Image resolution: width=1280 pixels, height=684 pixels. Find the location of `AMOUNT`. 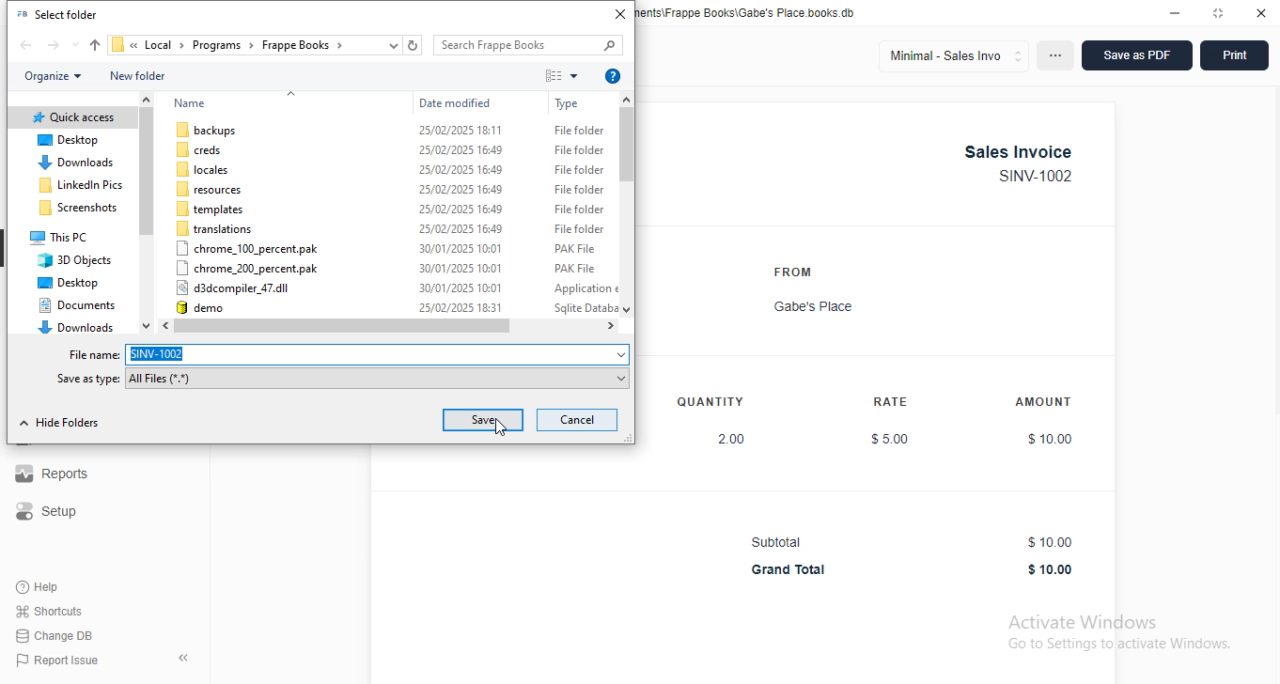

AMOUNT is located at coordinates (1043, 401).